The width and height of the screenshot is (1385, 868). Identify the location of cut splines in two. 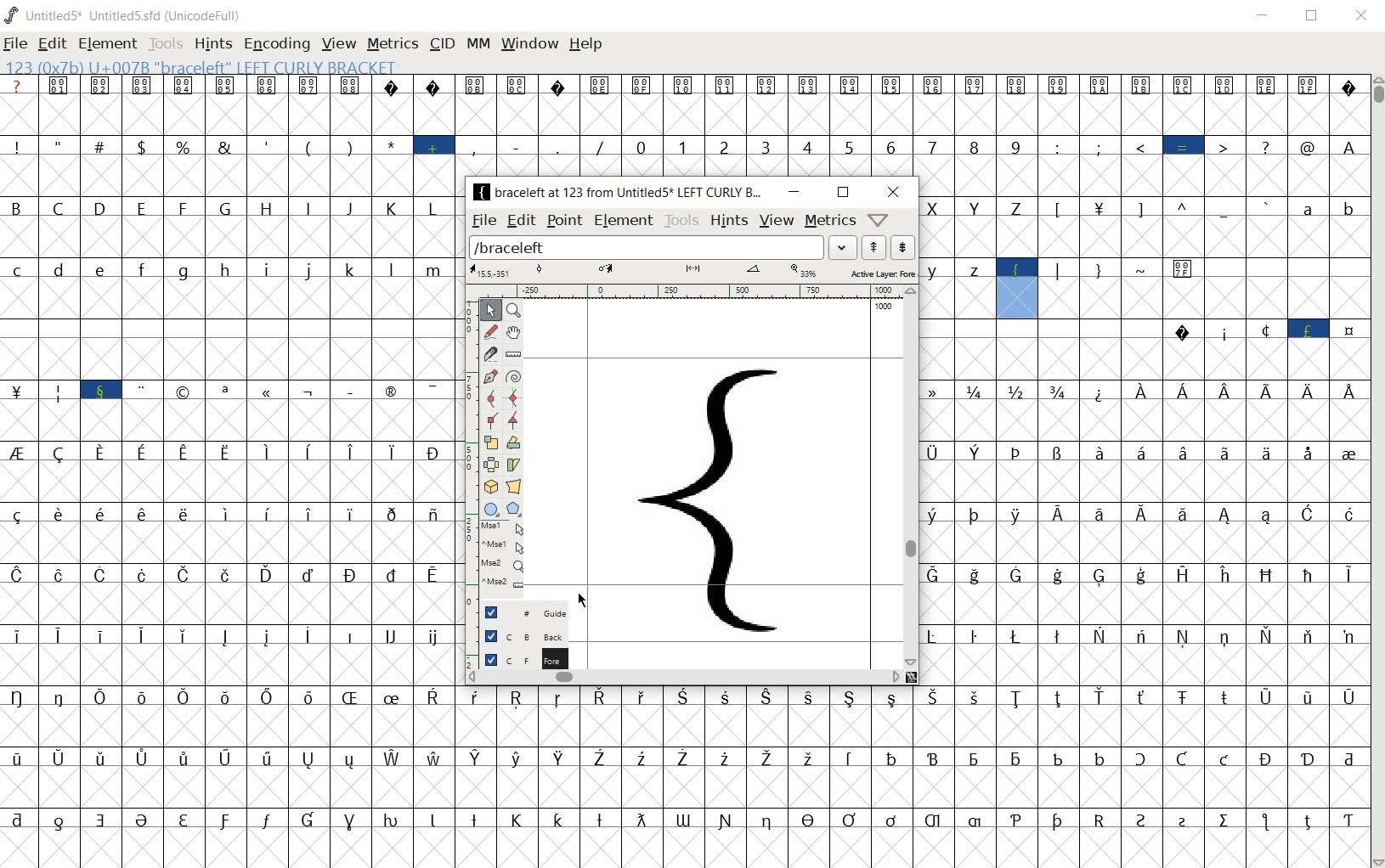
(488, 353).